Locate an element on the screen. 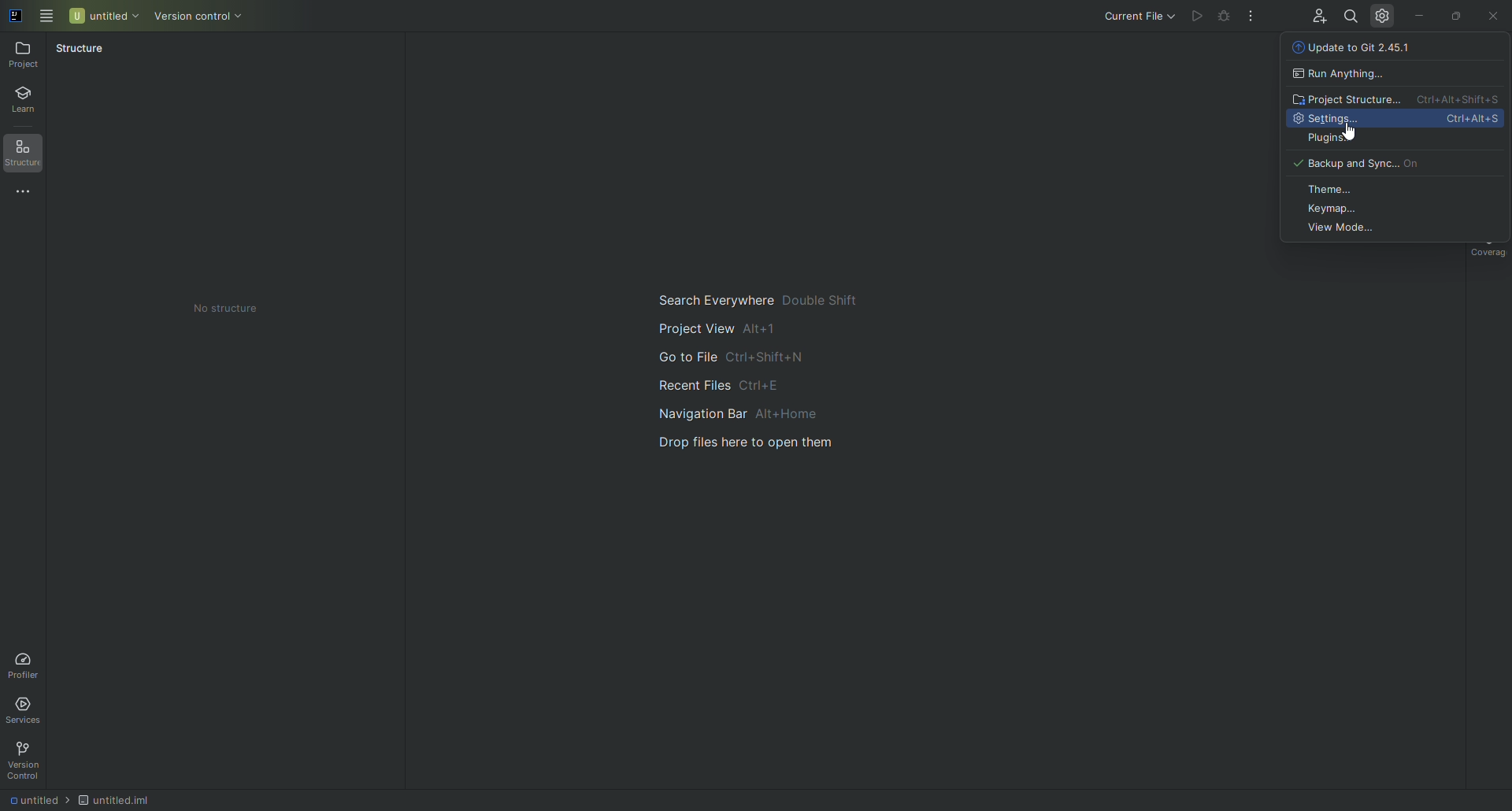  Close is located at coordinates (1492, 17).